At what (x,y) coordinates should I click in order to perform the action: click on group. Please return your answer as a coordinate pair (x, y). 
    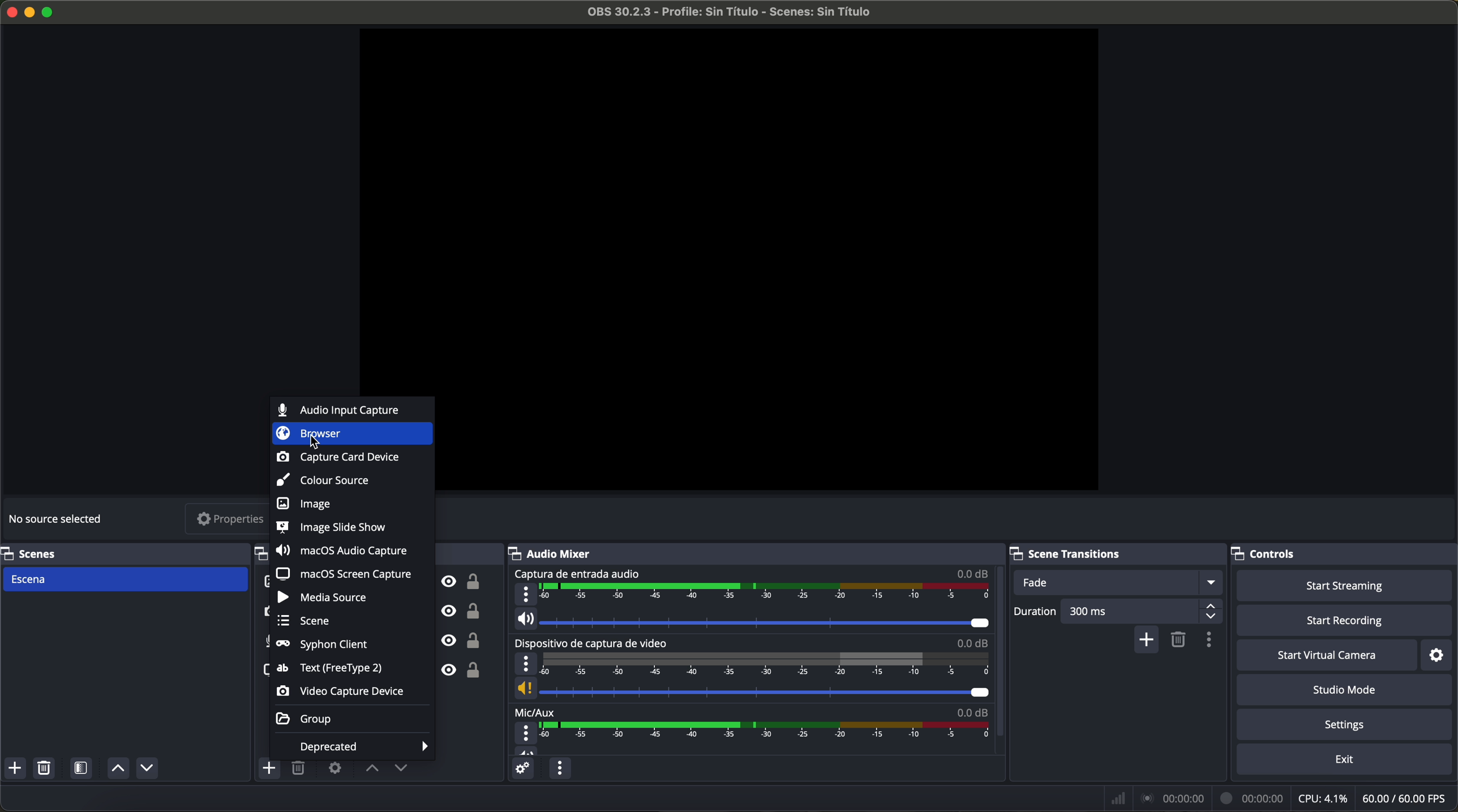
    Looking at the image, I should click on (304, 719).